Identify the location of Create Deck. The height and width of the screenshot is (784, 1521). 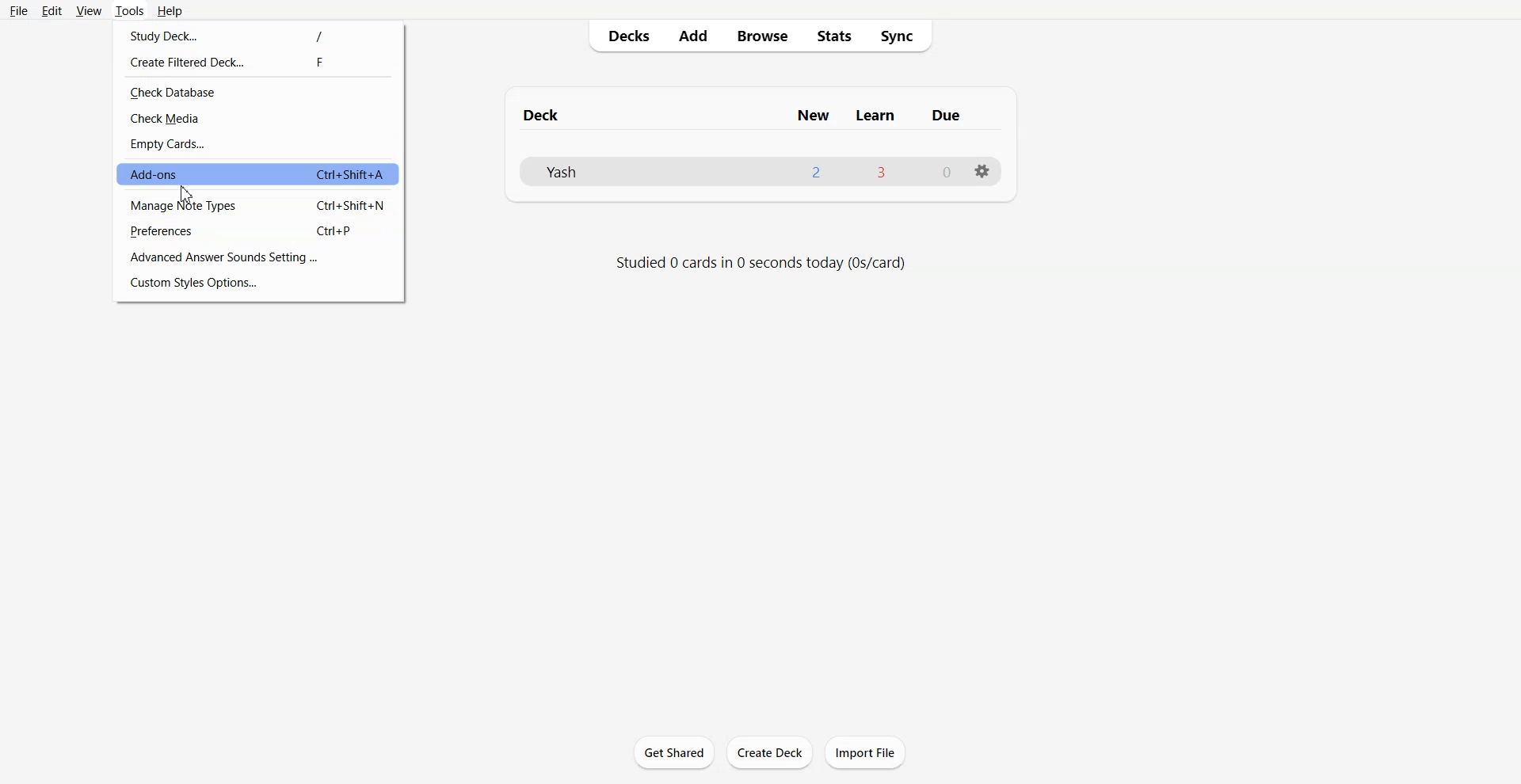
(769, 752).